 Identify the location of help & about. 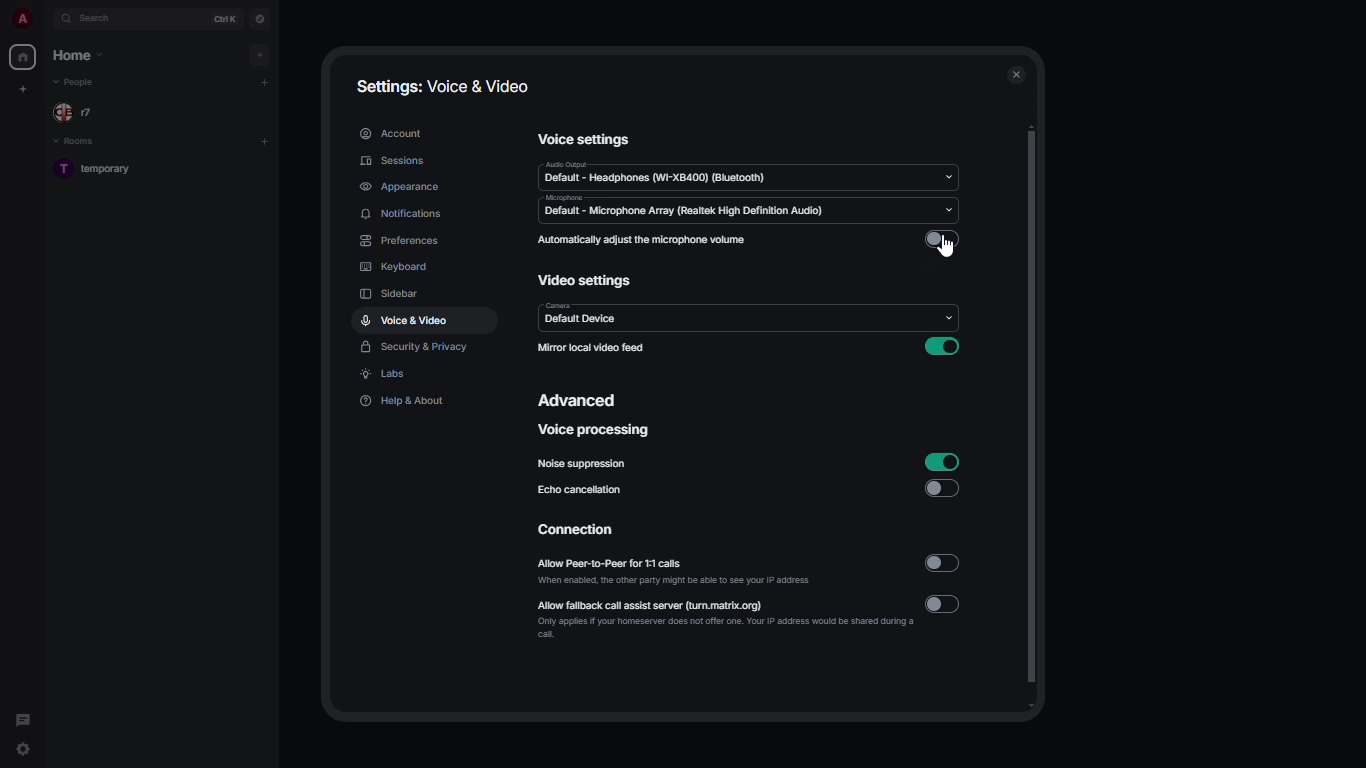
(406, 402).